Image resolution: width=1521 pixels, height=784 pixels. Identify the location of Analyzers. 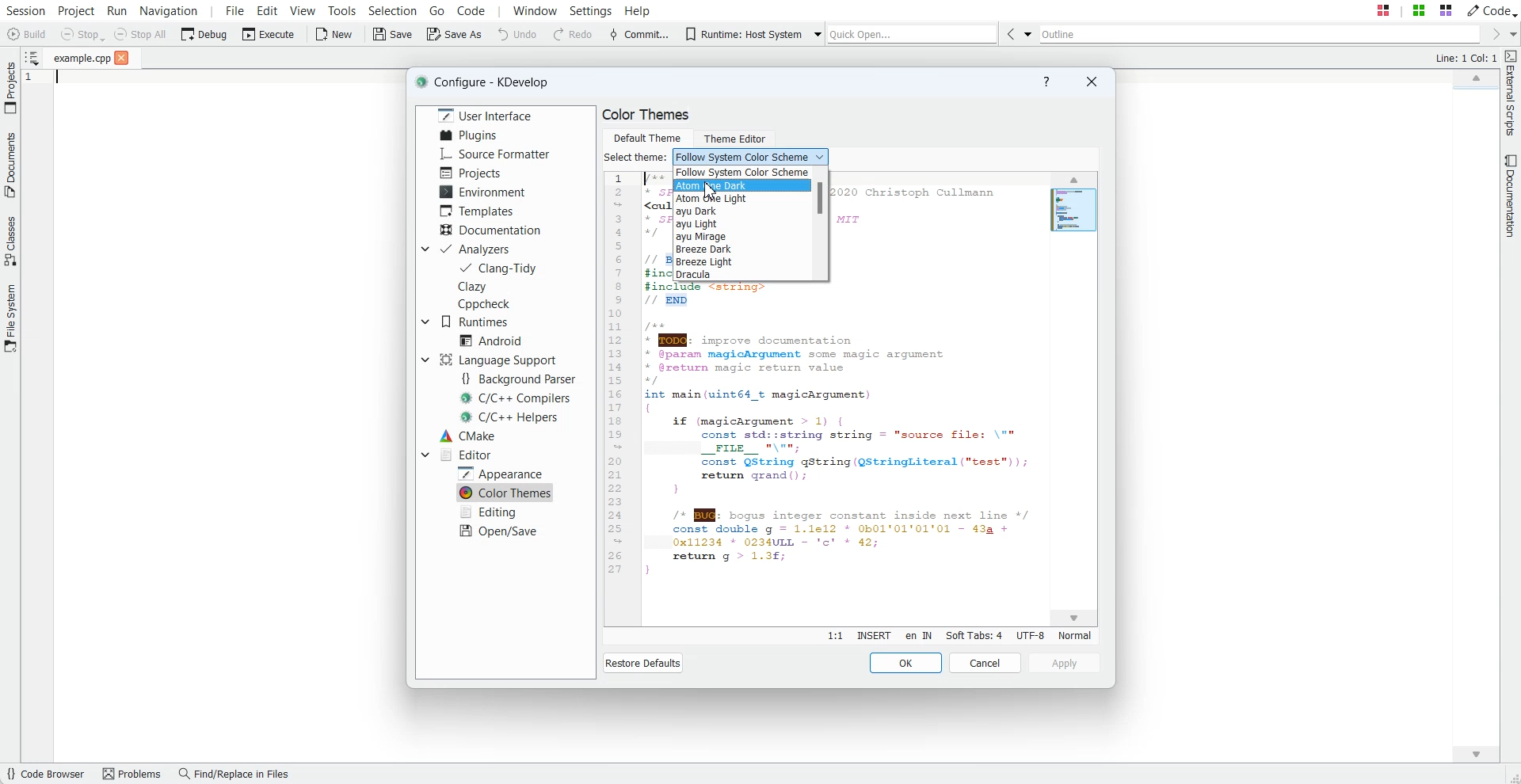
(478, 249).